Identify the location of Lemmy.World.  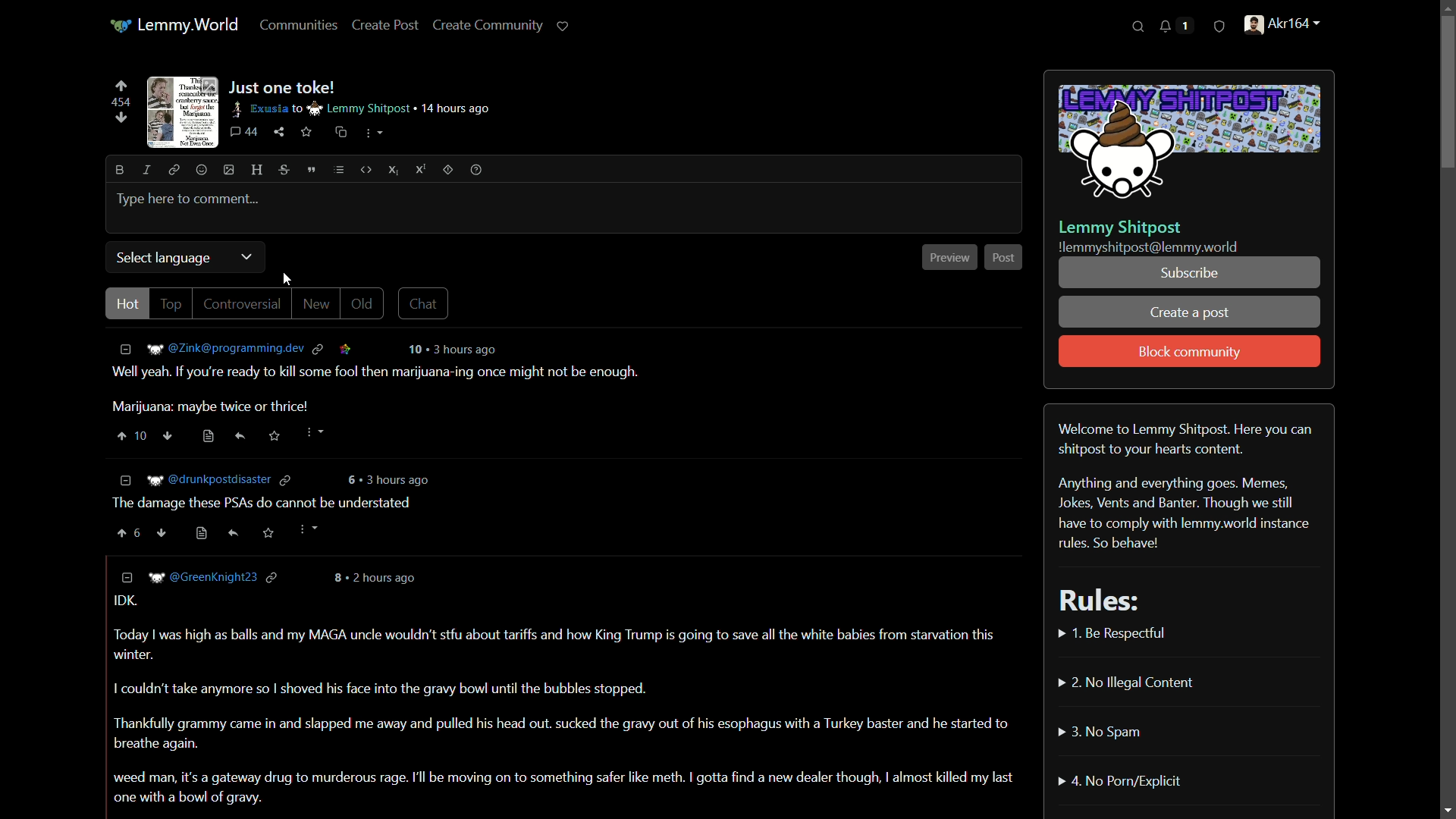
(176, 24).